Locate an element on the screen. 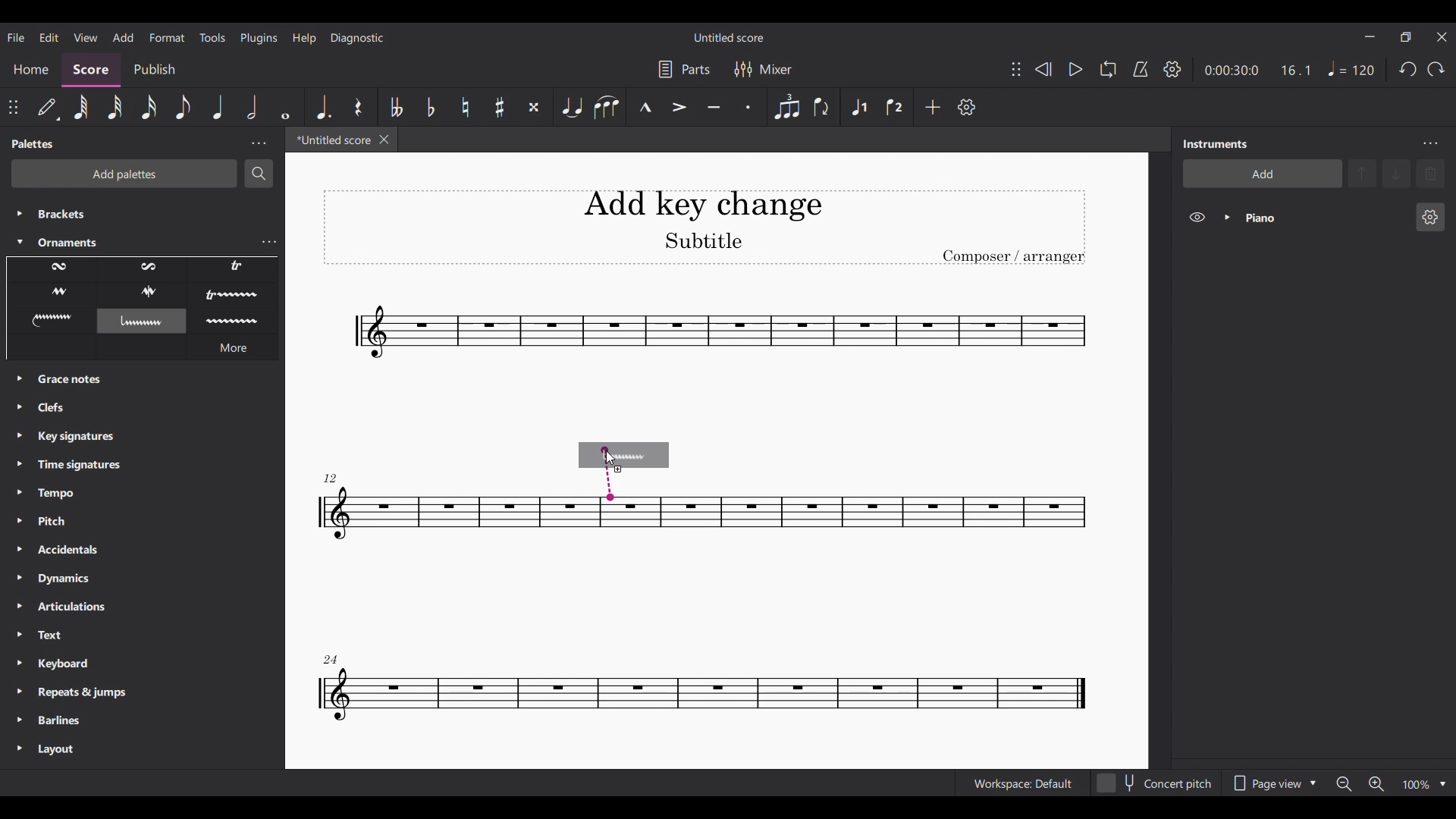  Add is located at coordinates (933, 106).